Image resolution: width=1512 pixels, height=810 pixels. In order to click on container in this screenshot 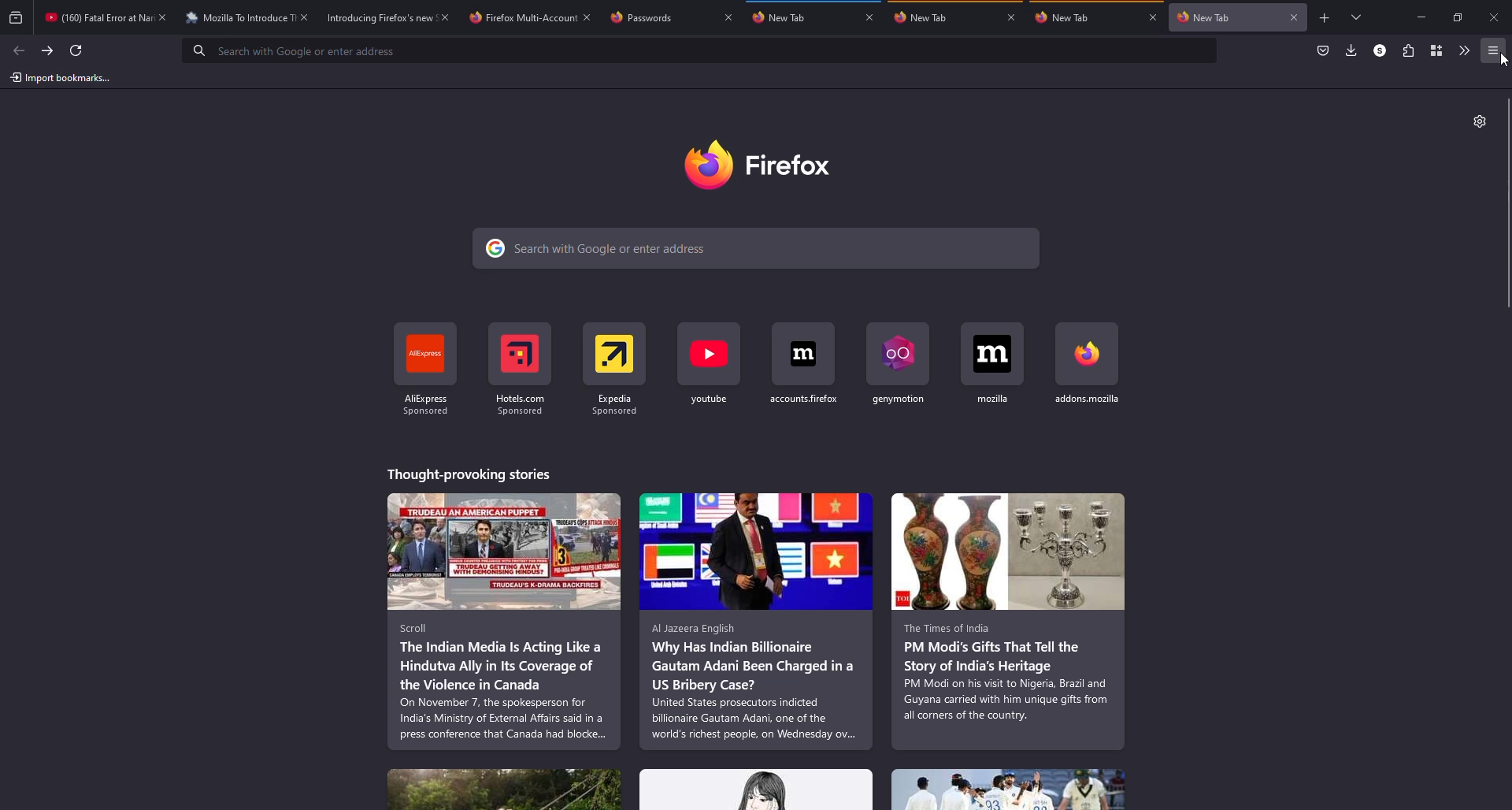, I will do `click(1436, 50)`.